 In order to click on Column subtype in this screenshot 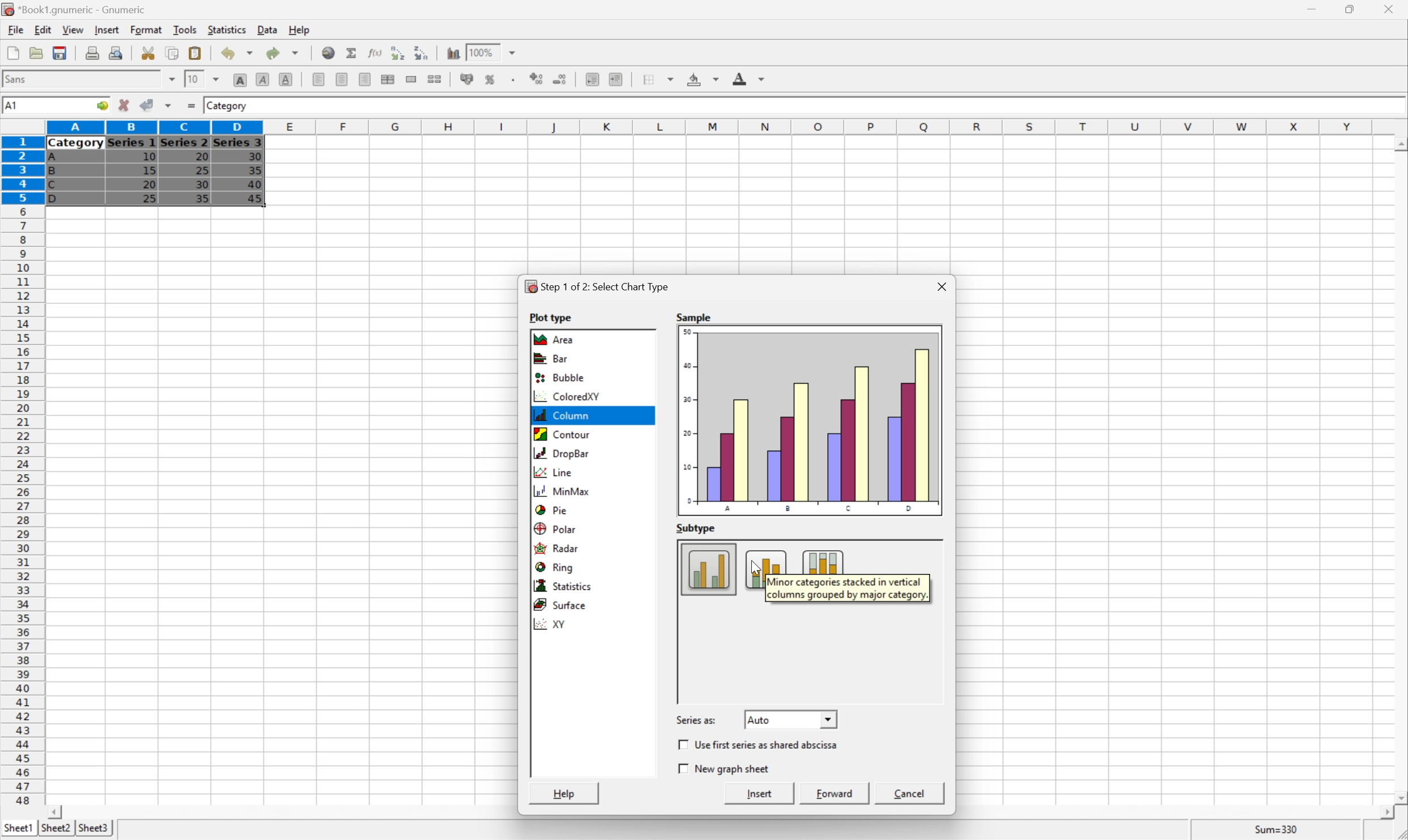, I will do `click(825, 562)`.